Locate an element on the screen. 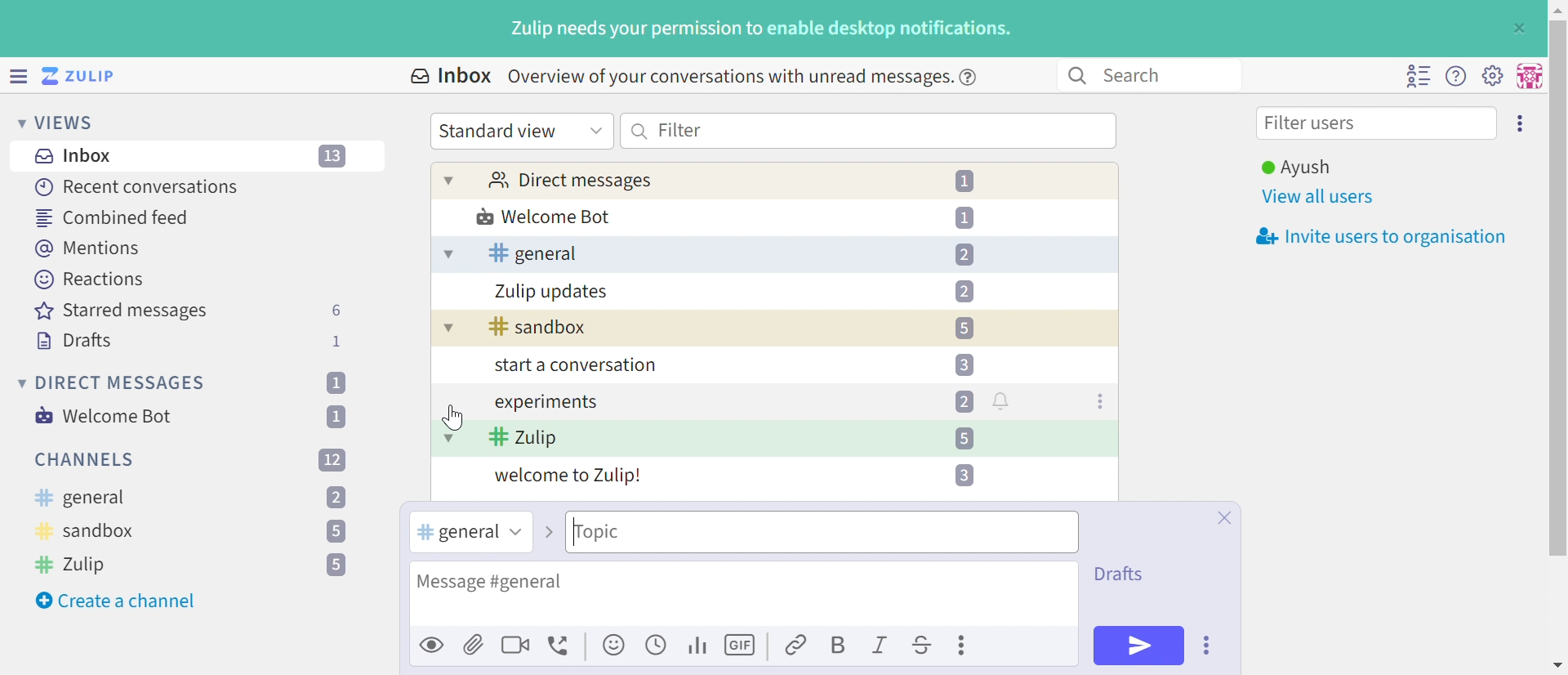 The width and height of the screenshot is (1568, 675). Close is located at coordinates (1517, 29).